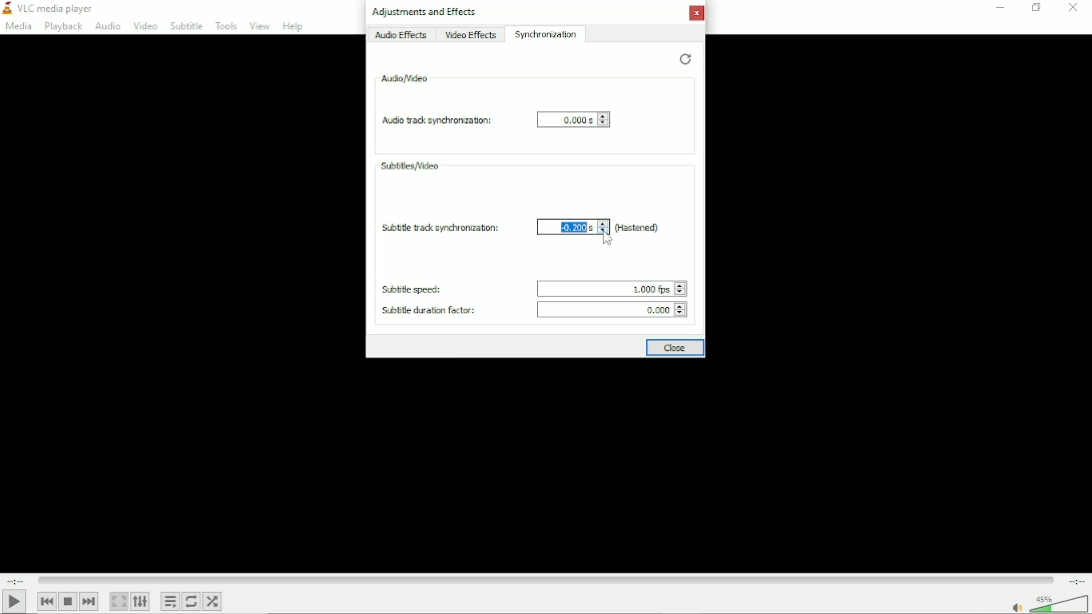  I want to click on Restore, so click(686, 59).